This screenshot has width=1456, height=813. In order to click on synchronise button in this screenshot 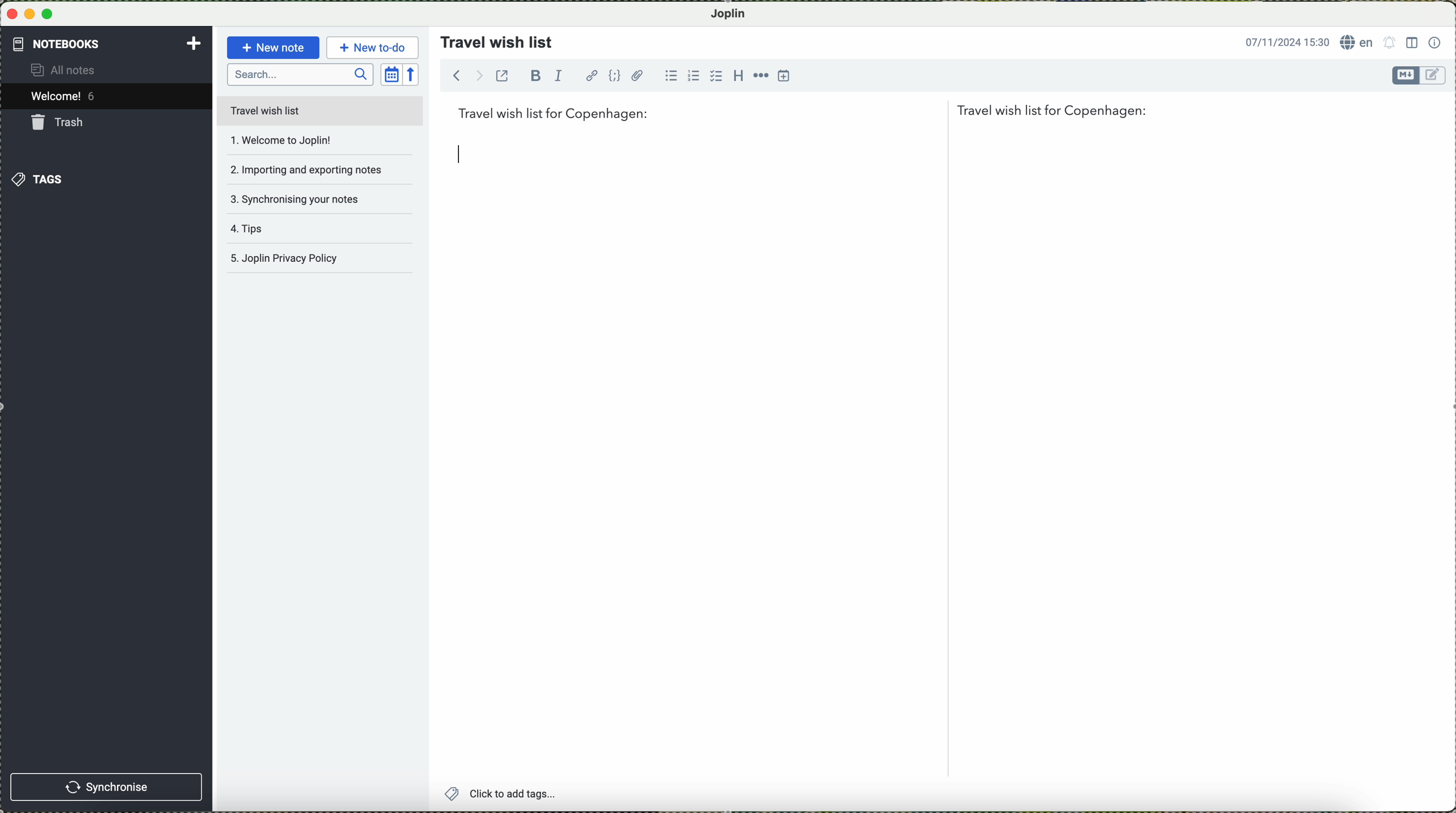, I will do `click(108, 786)`.